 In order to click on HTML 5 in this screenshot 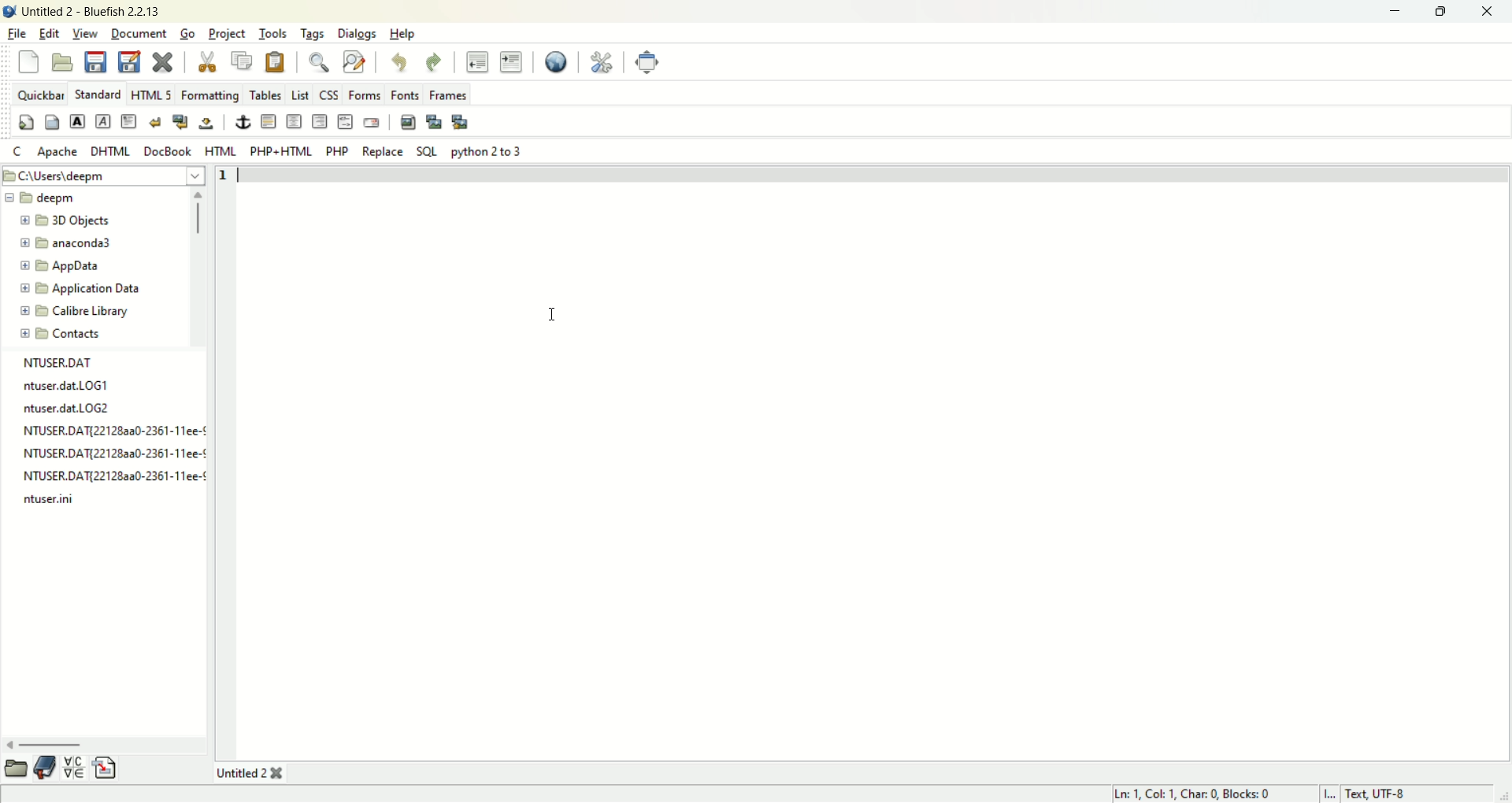, I will do `click(153, 94)`.